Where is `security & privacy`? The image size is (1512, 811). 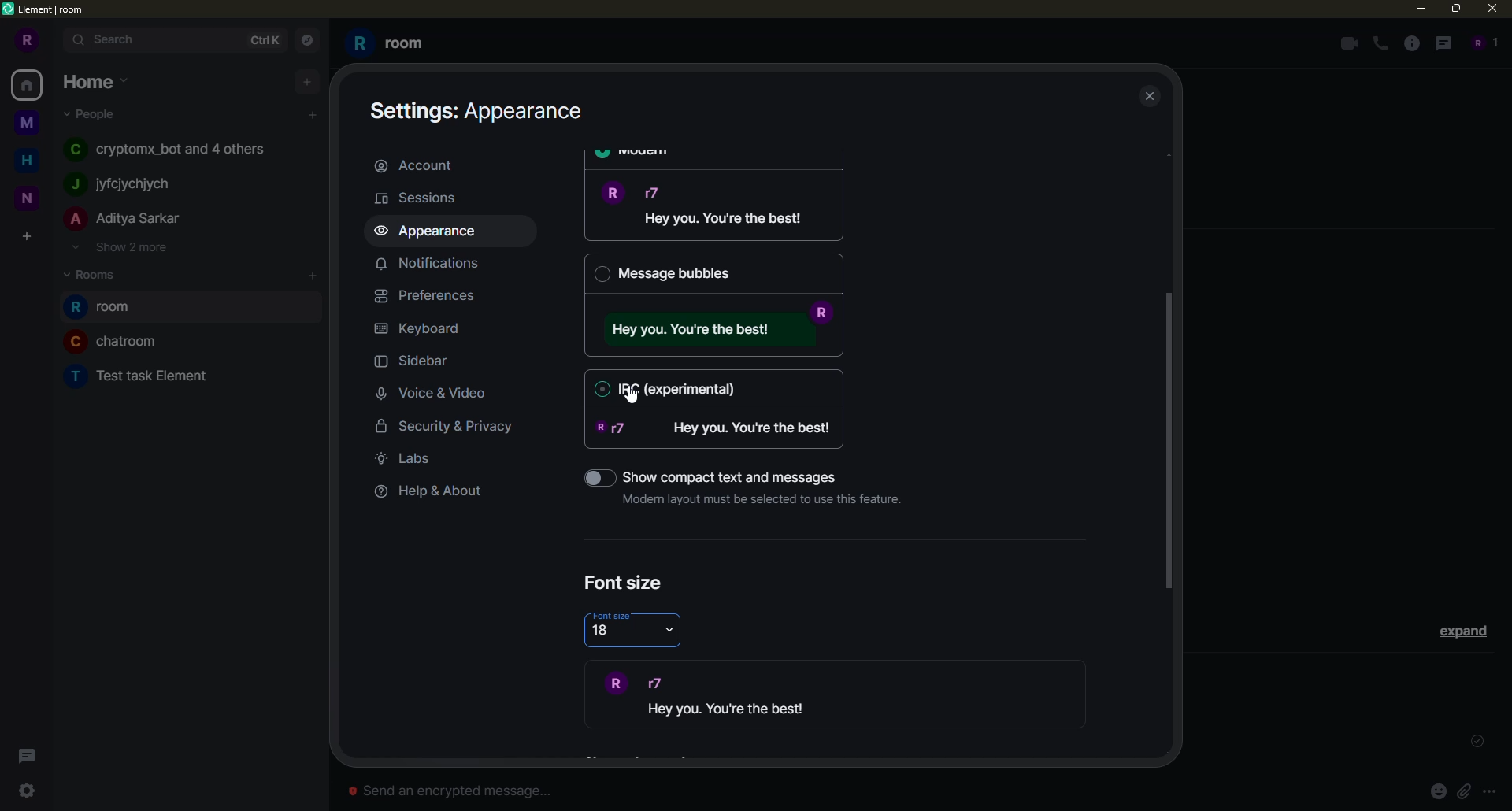
security & privacy is located at coordinates (451, 425).